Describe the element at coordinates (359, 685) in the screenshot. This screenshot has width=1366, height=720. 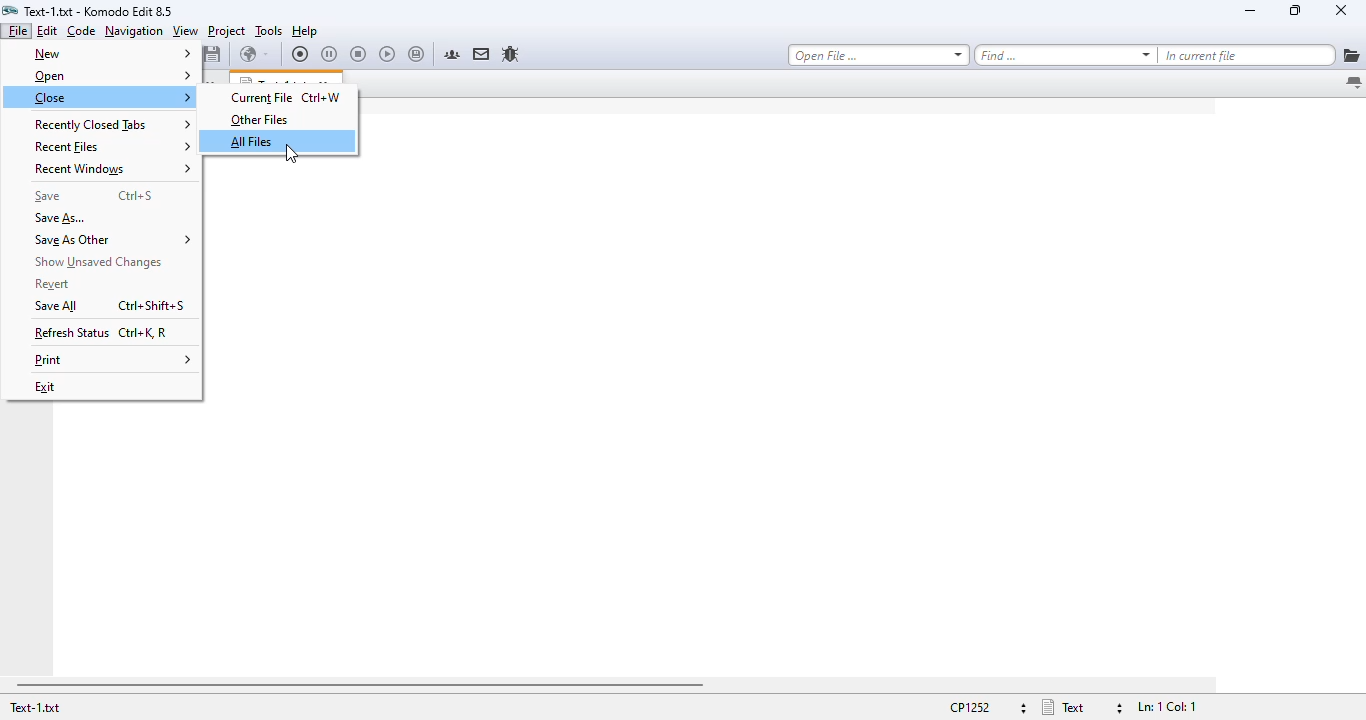
I see `horizontal scroll bar` at that location.